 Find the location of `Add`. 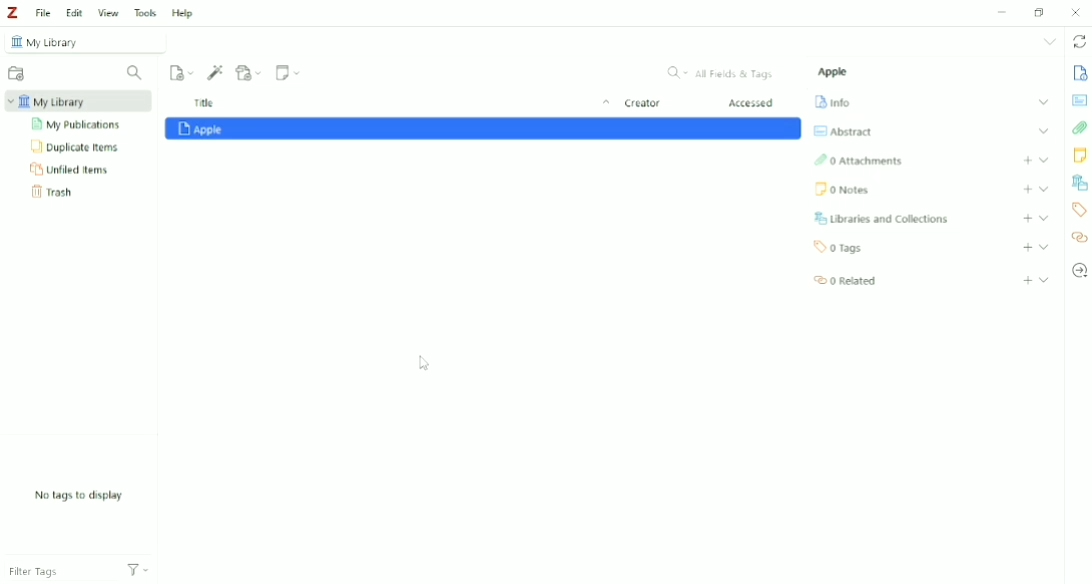

Add is located at coordinates (1027, 189).